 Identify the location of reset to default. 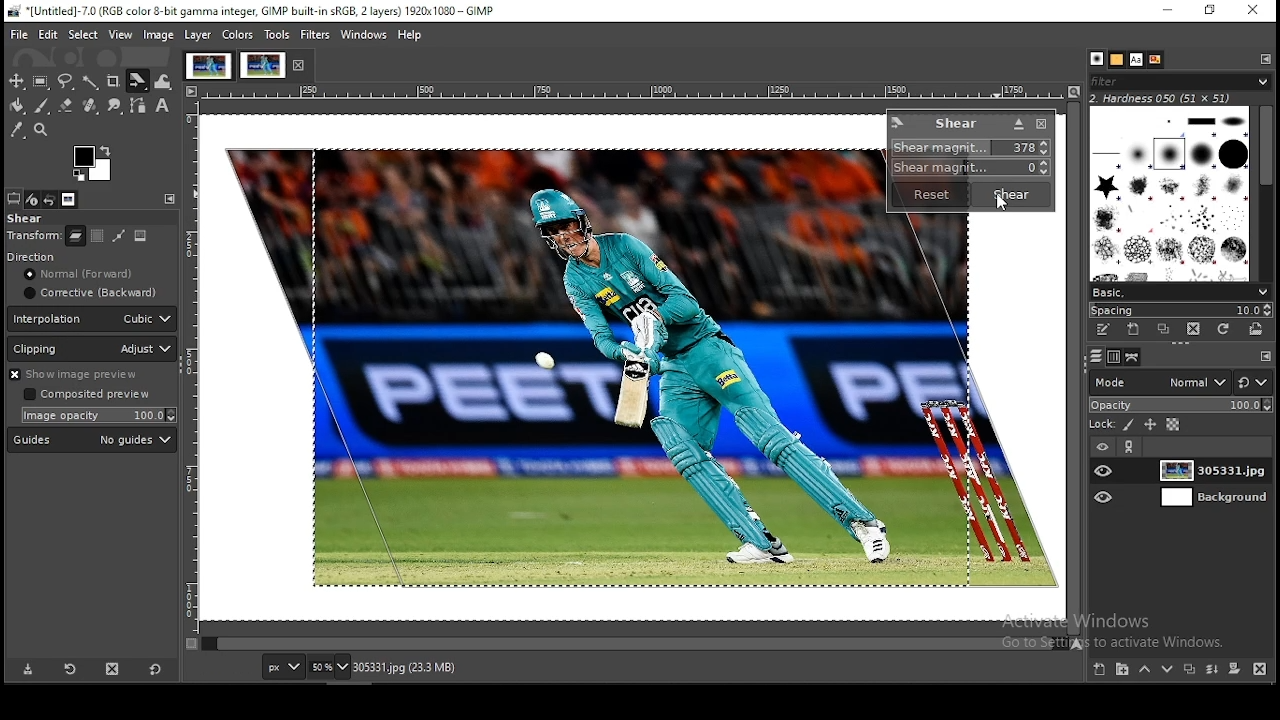
(155, 670).